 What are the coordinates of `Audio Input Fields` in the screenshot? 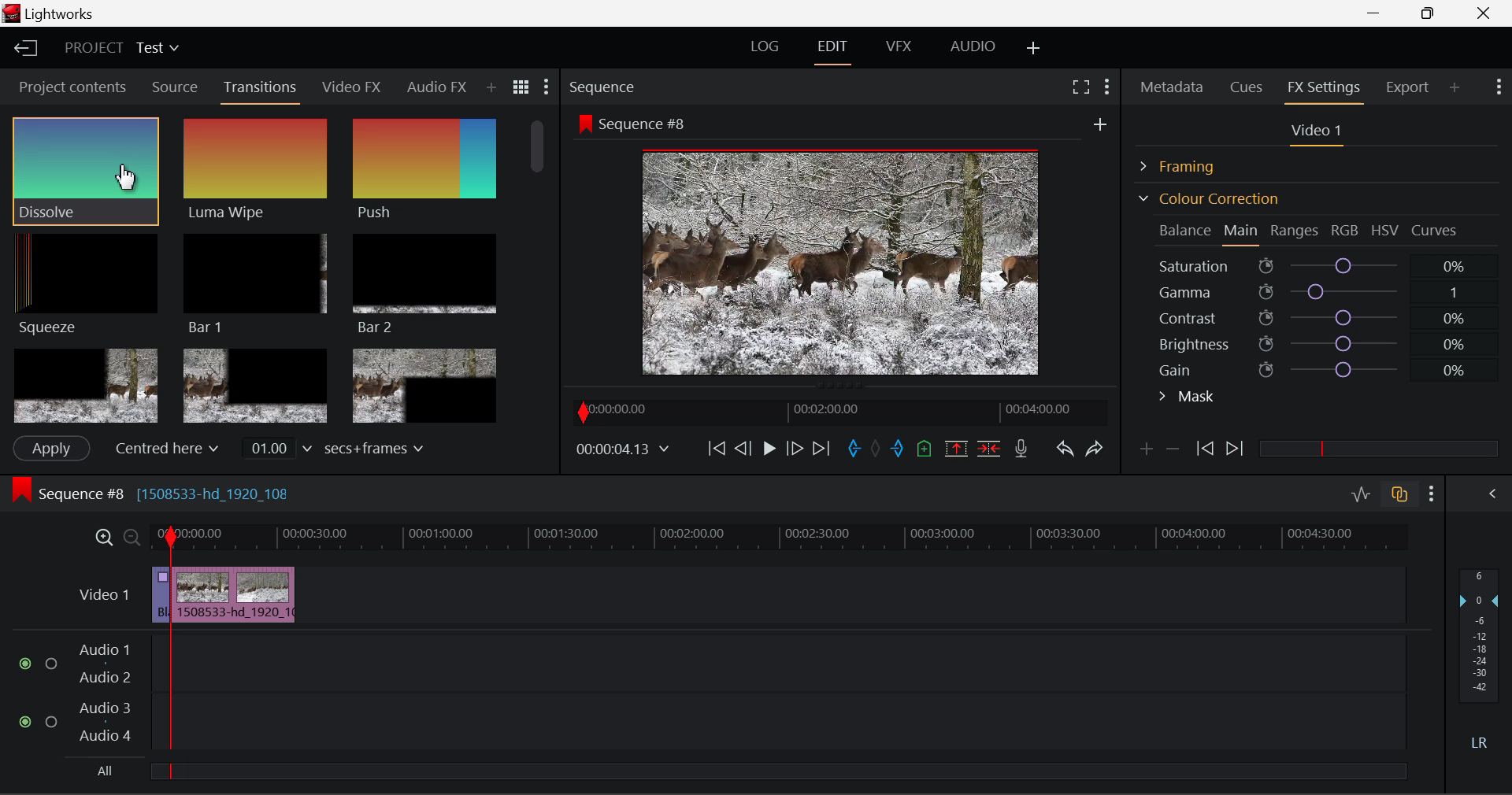 It's located at (712, 694).